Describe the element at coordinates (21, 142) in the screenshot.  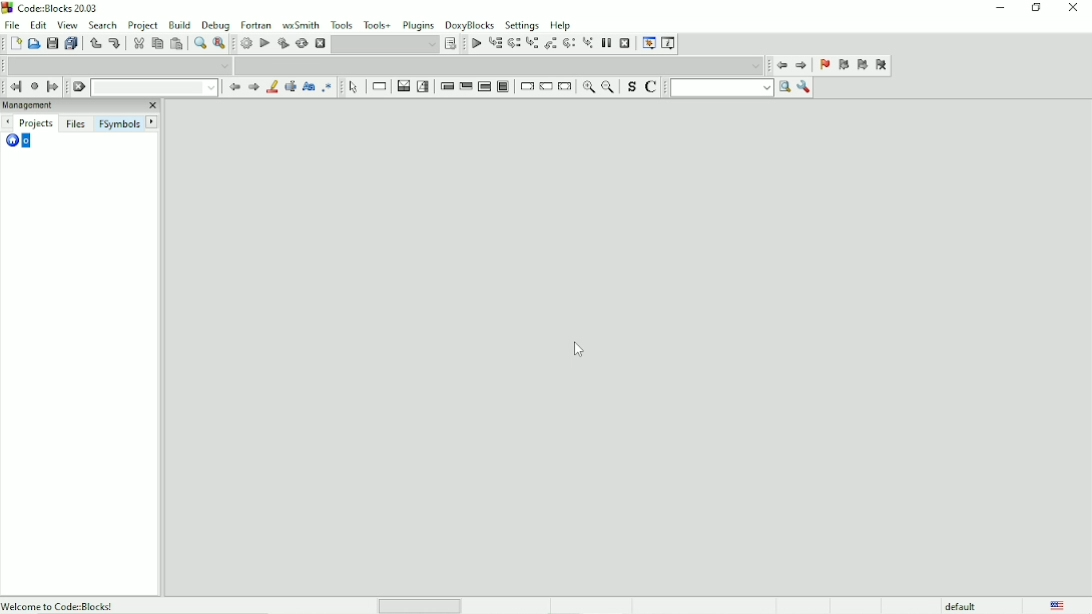
I see `o` at that location.